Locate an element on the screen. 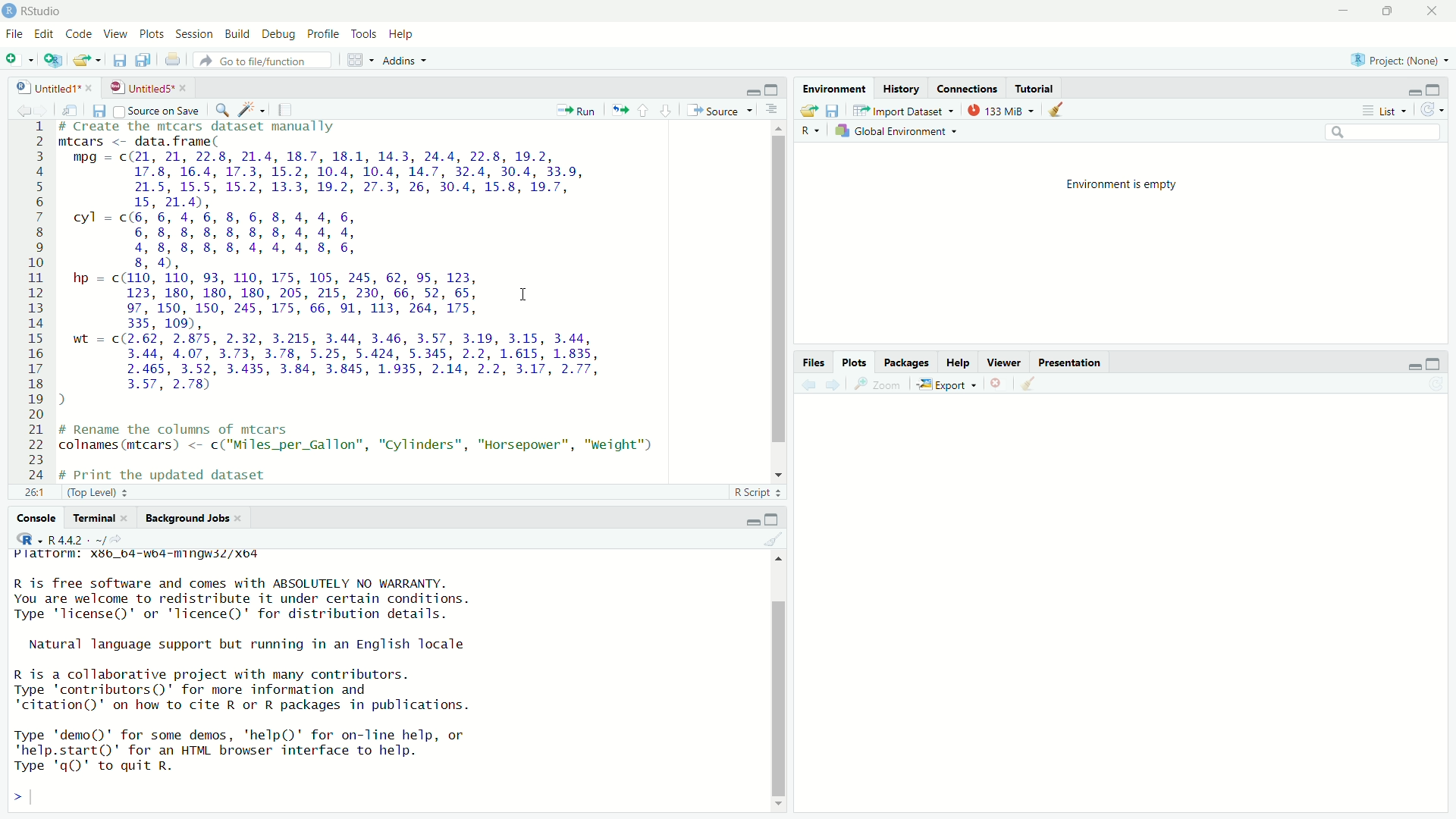  Files is located at coordinates (813, 361).